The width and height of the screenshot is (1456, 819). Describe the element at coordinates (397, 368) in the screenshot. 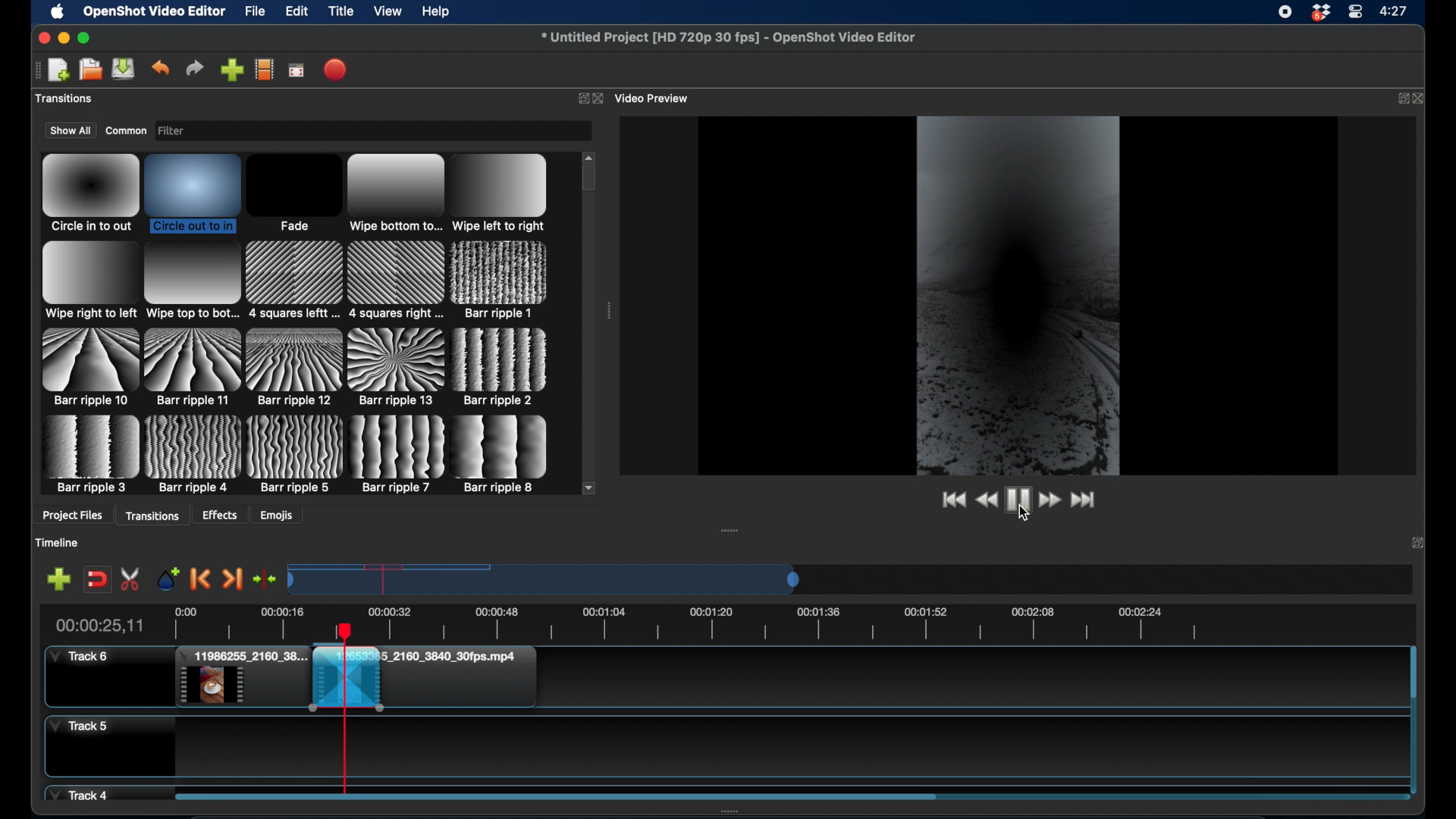

I see `transition` at that location.